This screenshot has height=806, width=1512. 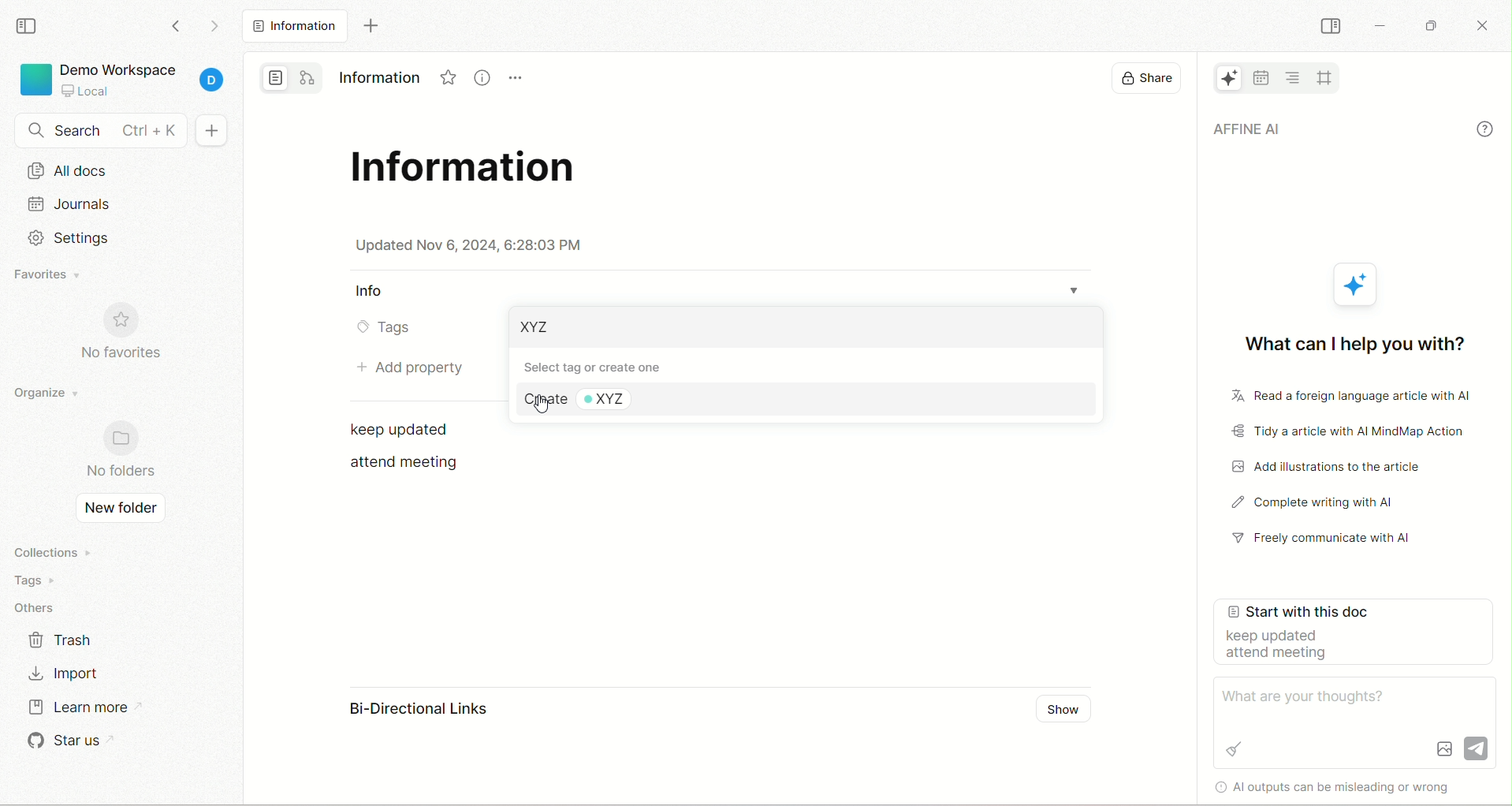 What do you see at coordinates (45, 398) in the screenshot?
I see `organize` at bounding box center [45, 398].